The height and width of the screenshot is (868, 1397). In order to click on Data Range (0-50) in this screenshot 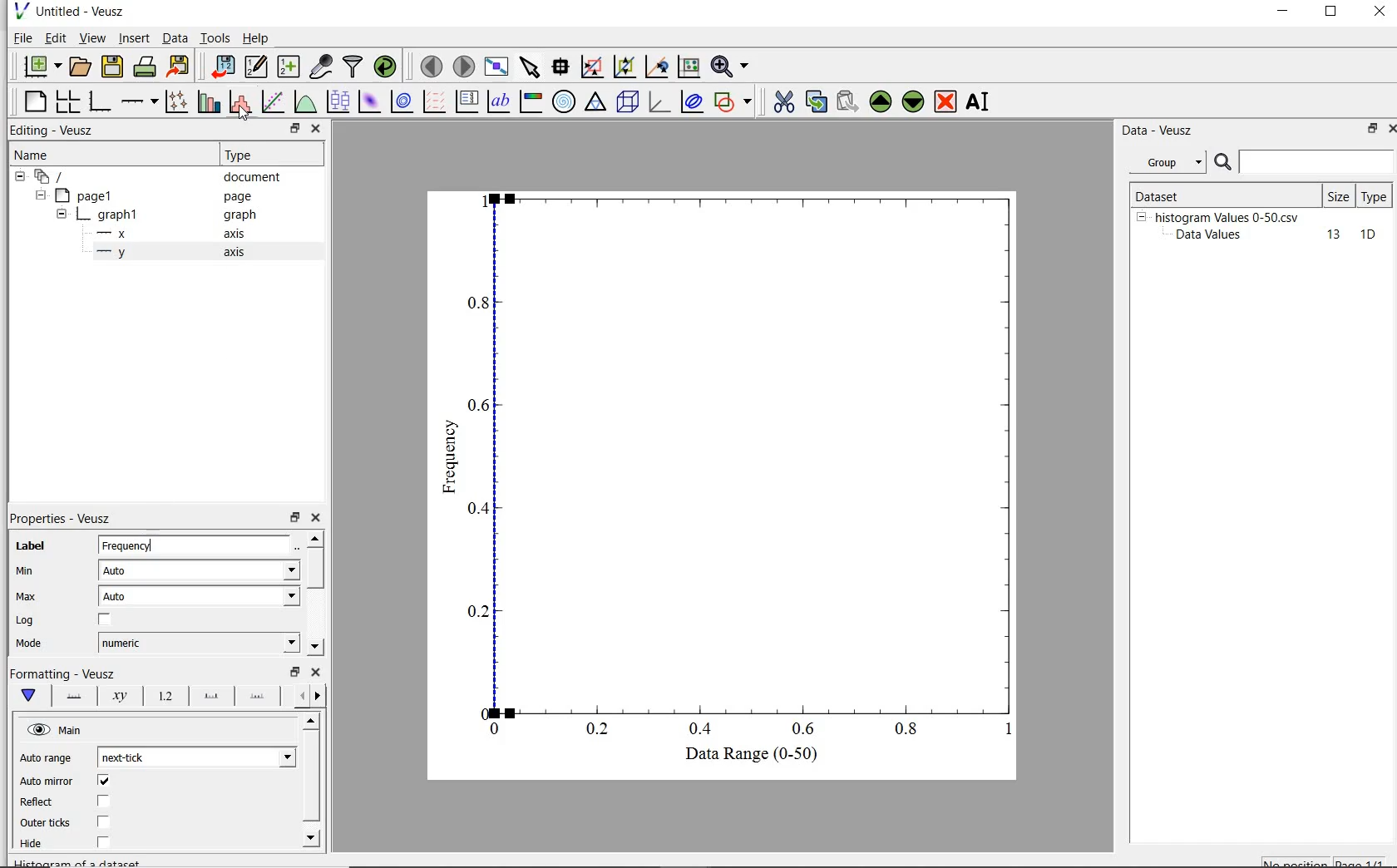, I will do `click(743, 755)`.